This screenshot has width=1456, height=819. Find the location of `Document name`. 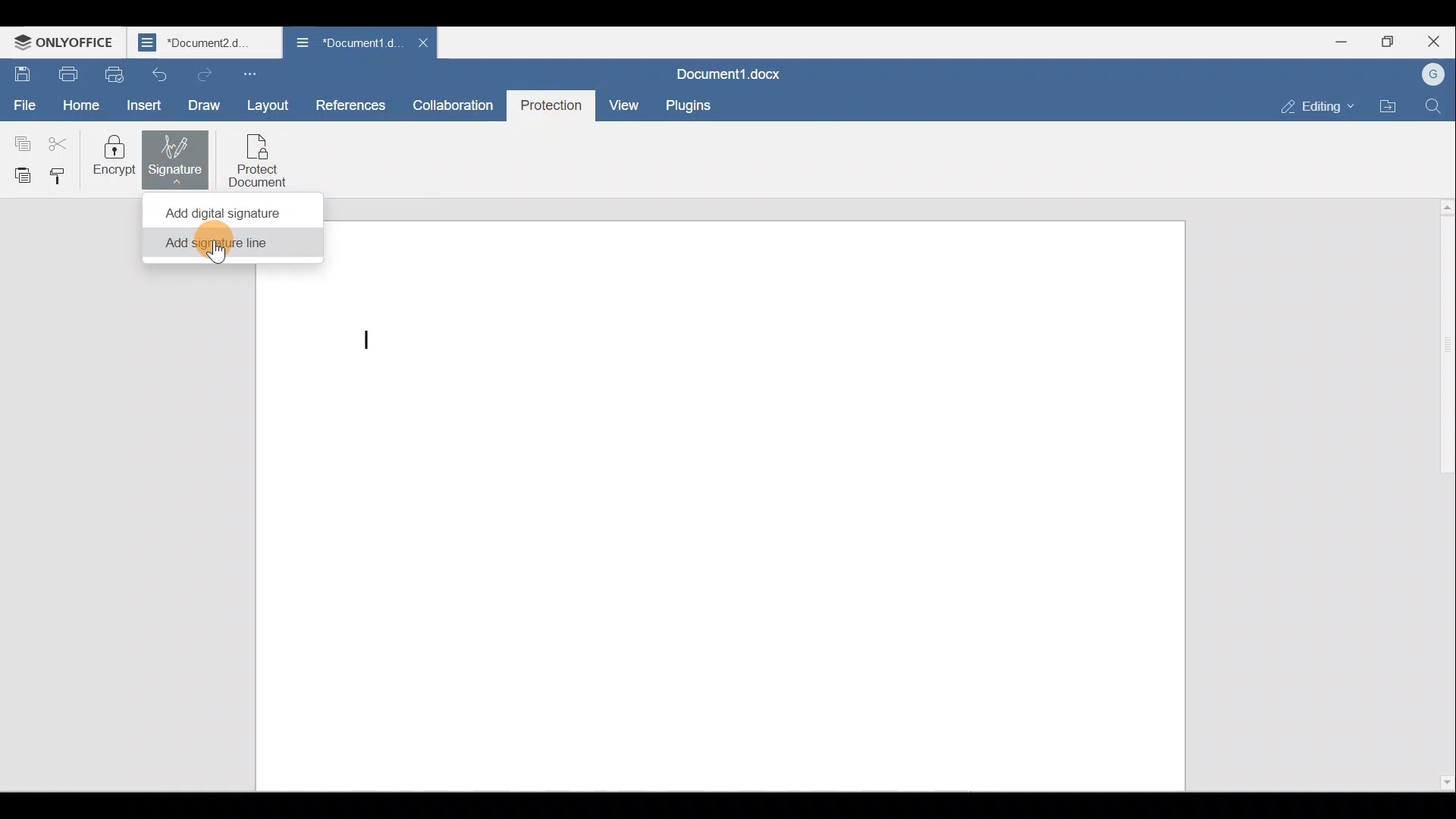

Document name is located at coordinates (727, 72).